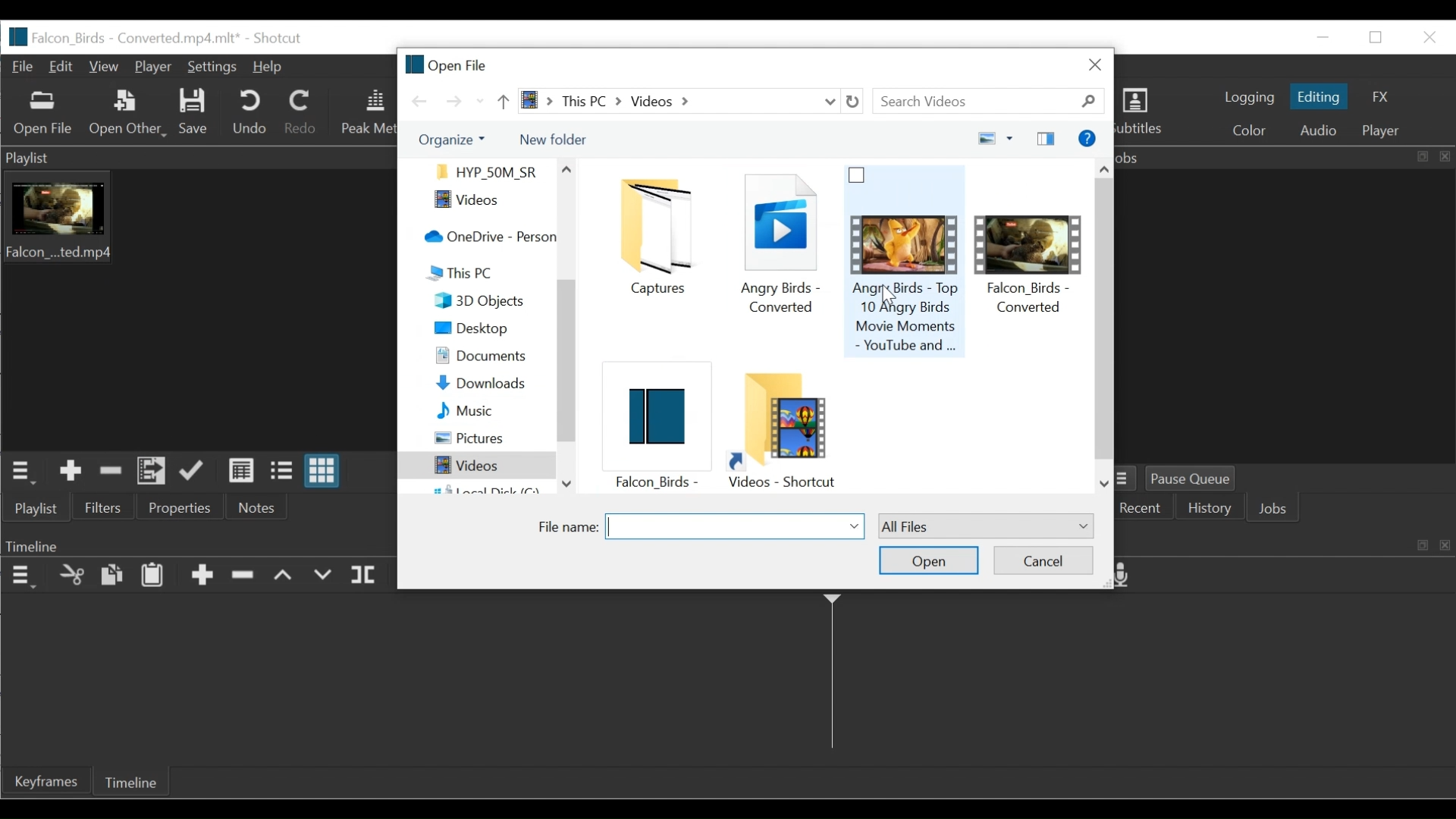  I want to click on OneDrive, so click(486, 237).